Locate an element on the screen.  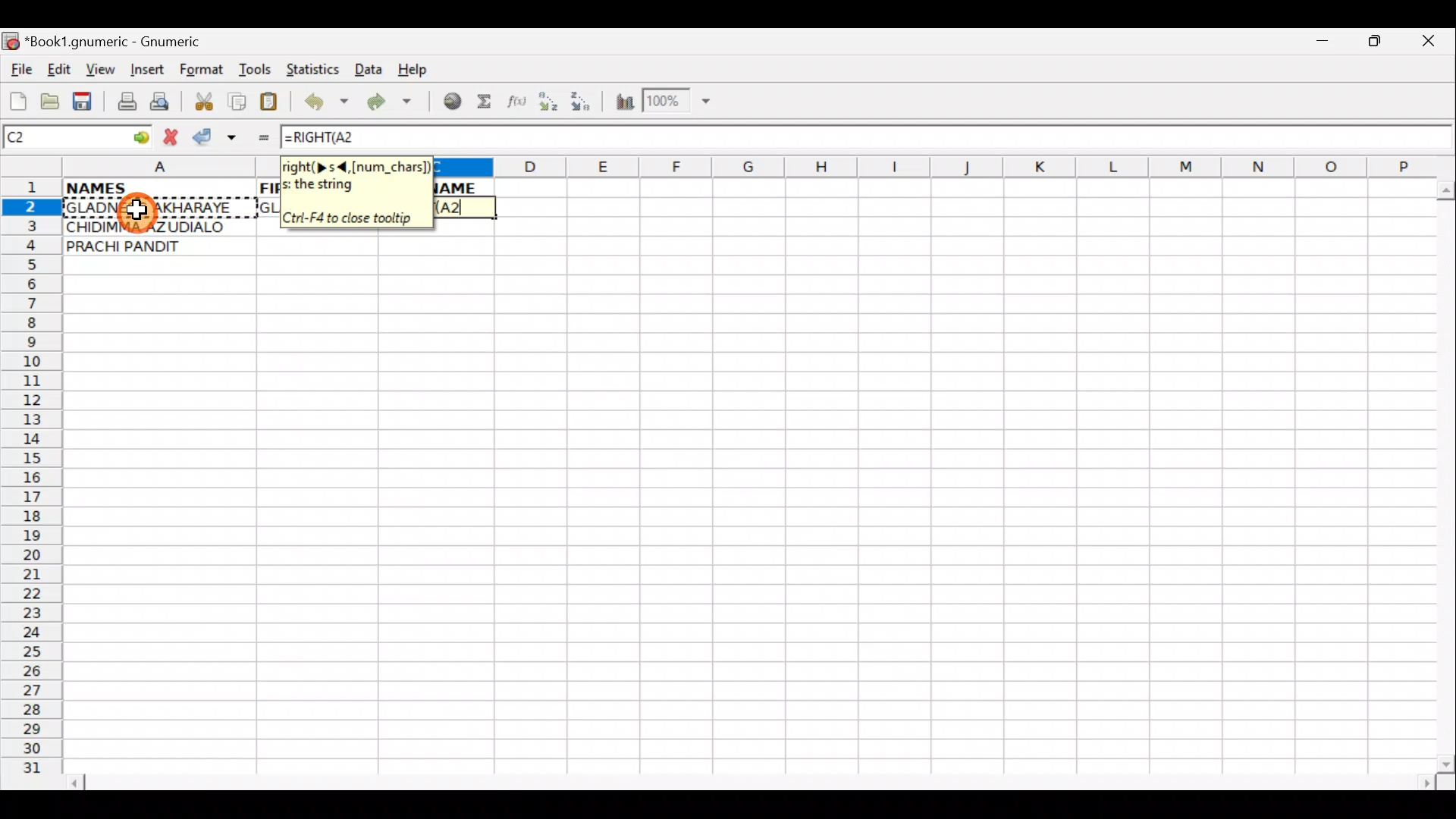
Cancel change is located at coordinates (174, 134).